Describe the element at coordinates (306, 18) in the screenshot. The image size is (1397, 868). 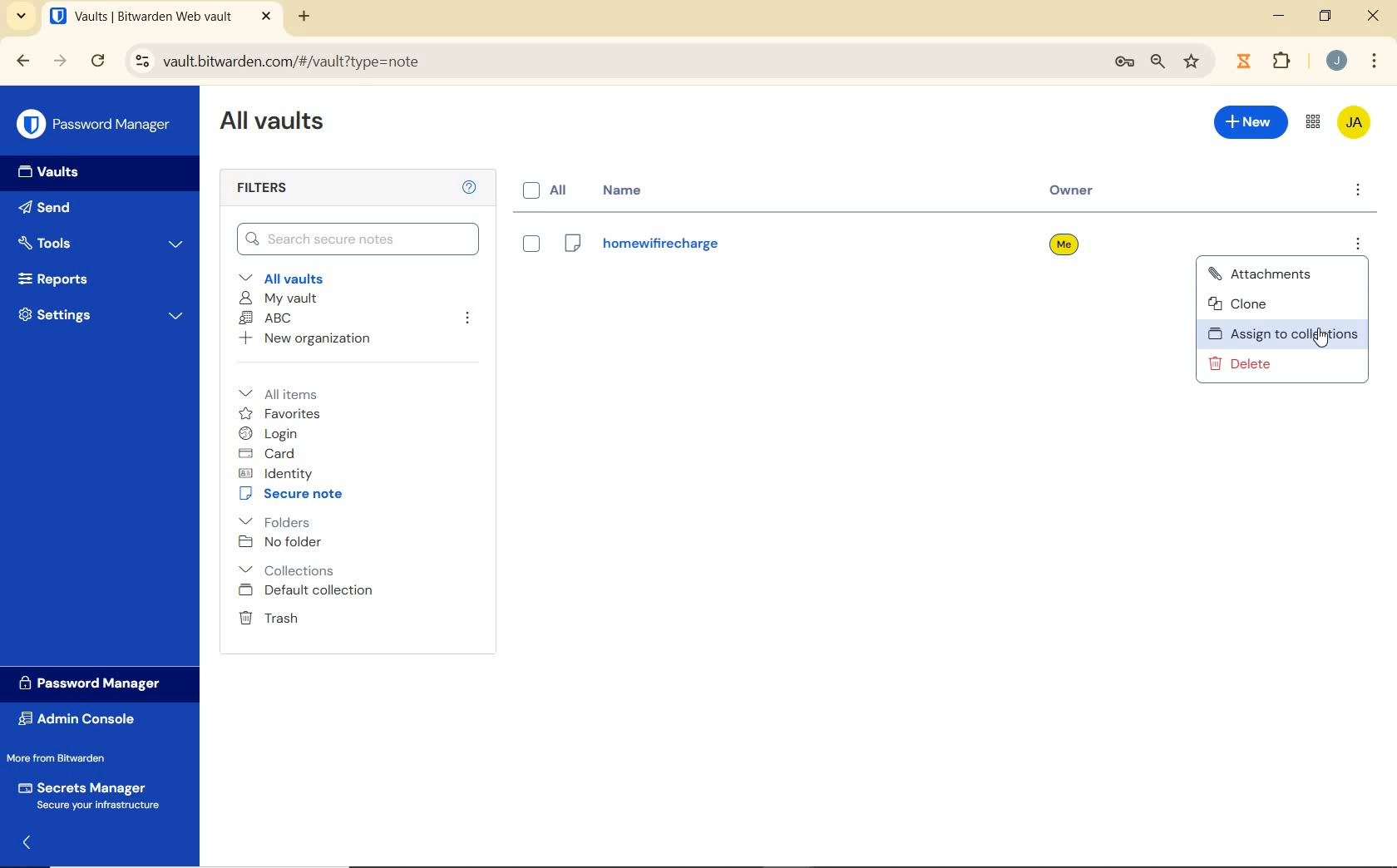
I see `new tab` at that location.